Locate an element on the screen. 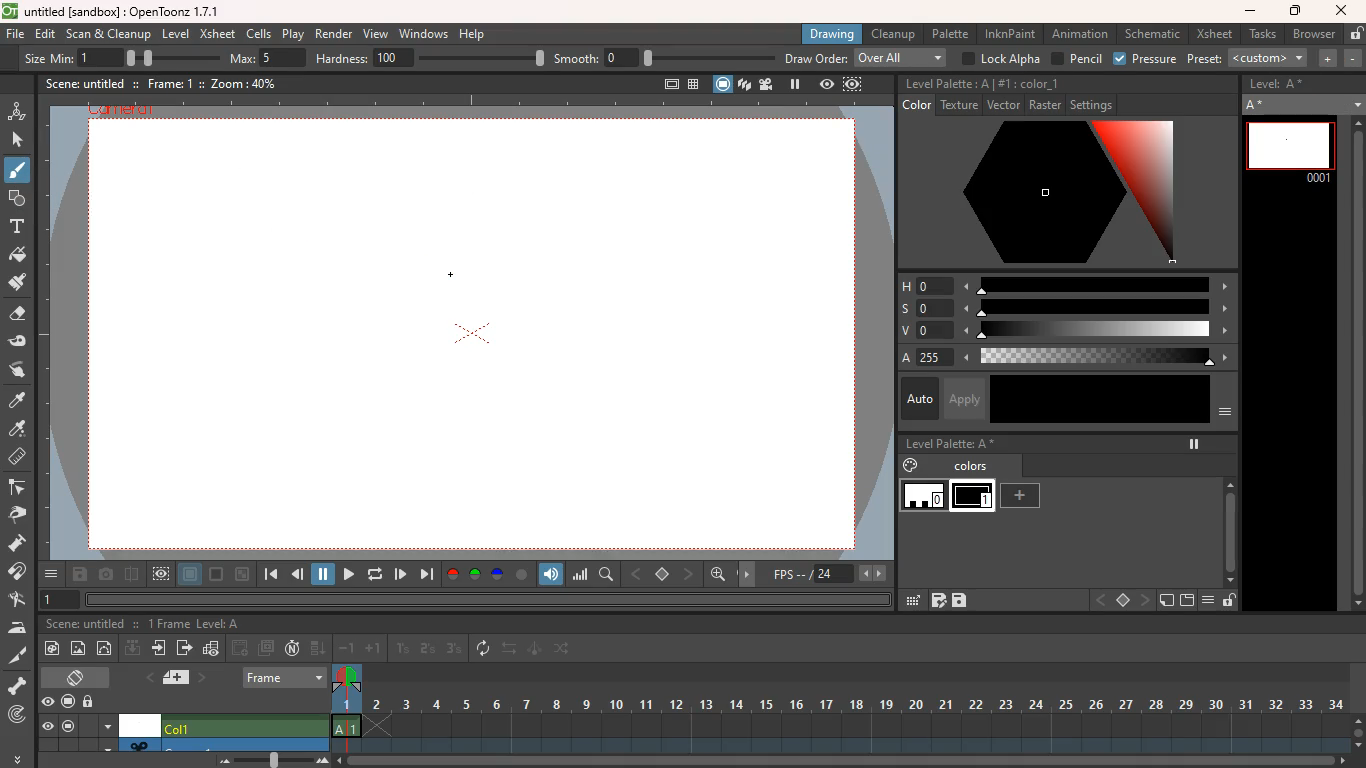  more is located at coordinates (1329, 59).